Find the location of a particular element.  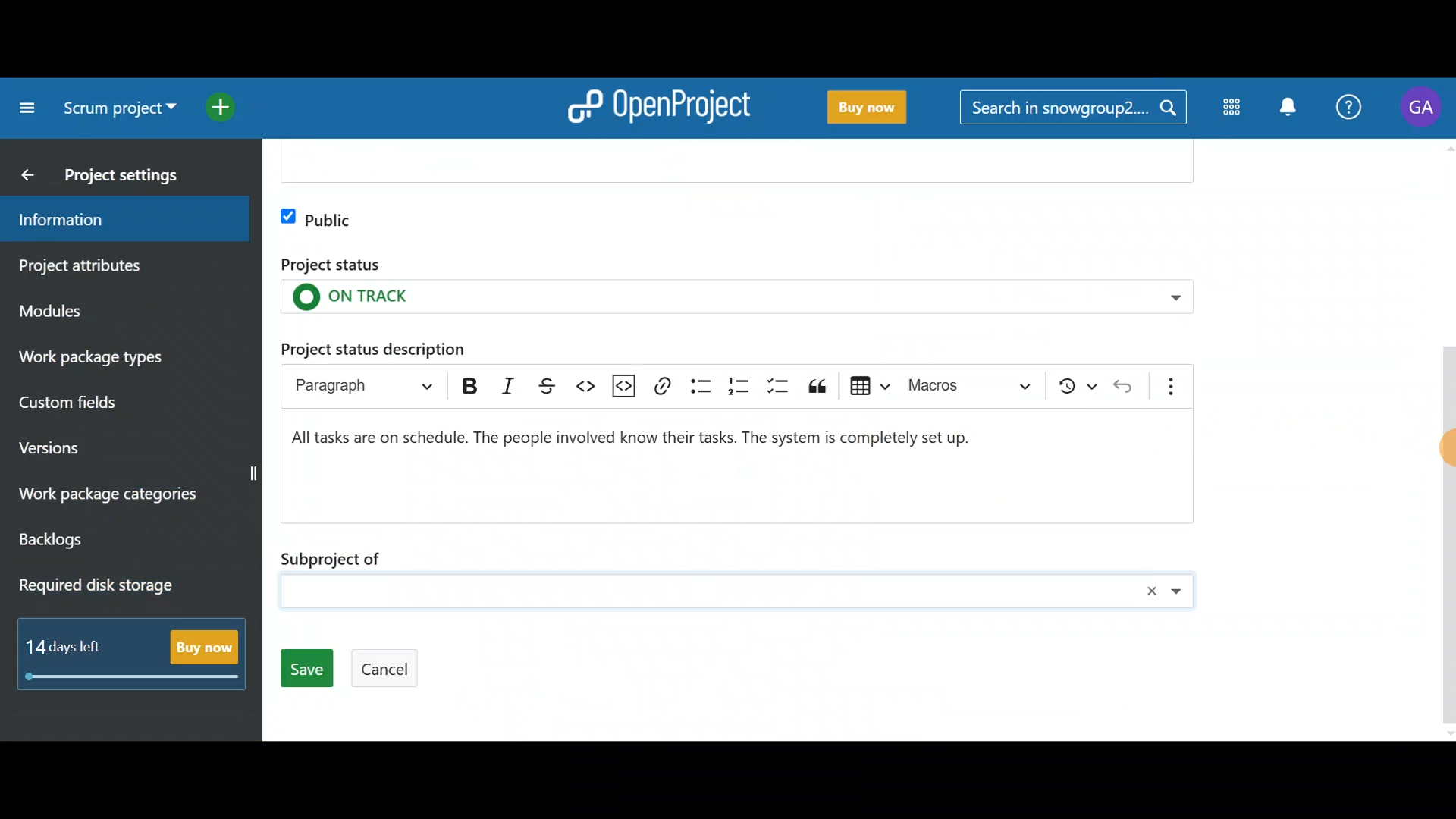

Information is located at coordinates (118, 219).